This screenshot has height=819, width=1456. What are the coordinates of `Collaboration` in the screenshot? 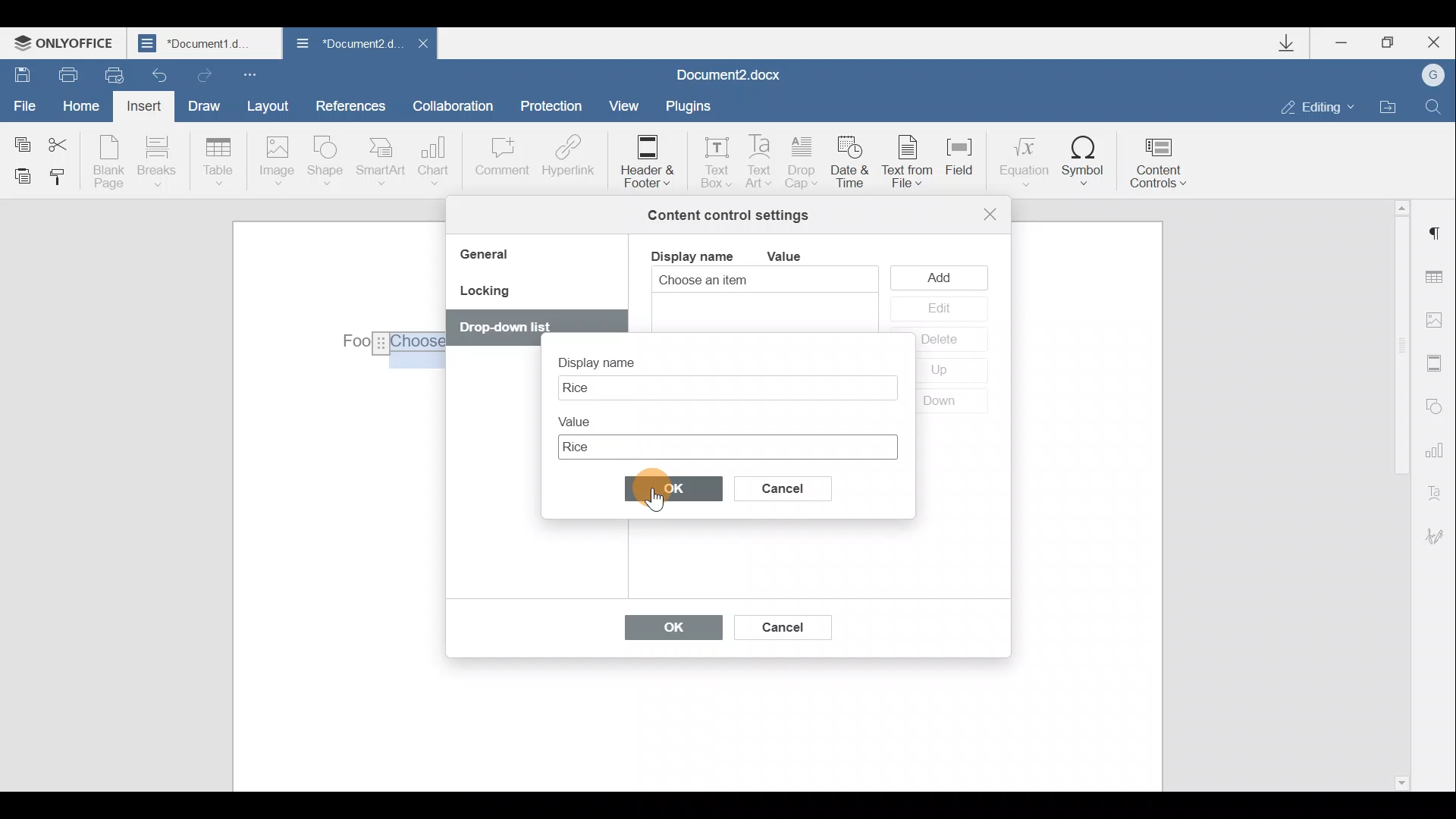 It's located at (459, 105).